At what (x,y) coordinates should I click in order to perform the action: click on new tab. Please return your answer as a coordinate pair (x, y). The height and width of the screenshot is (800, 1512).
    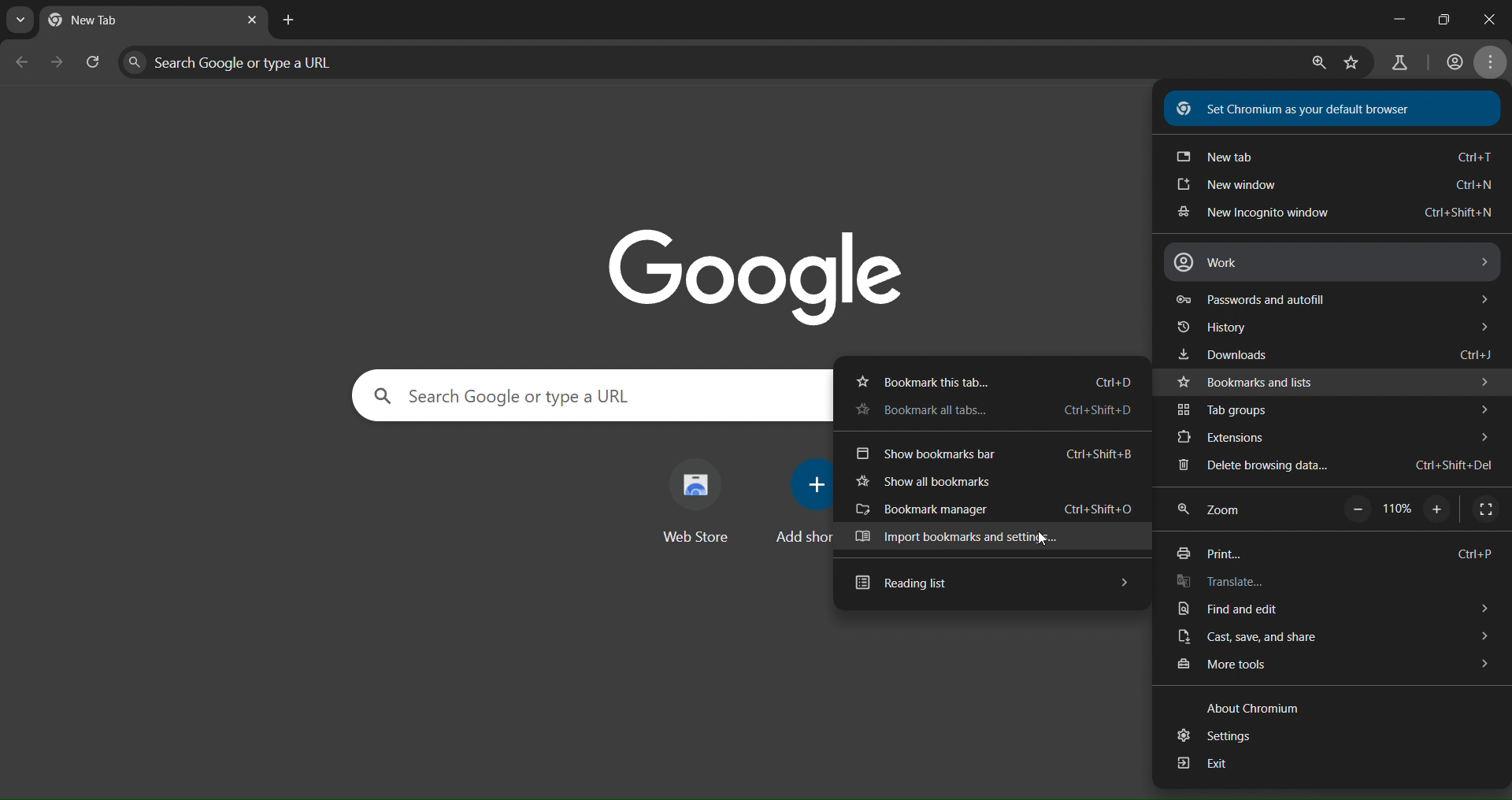
    Looking at the image, I should click on (1333, 157).